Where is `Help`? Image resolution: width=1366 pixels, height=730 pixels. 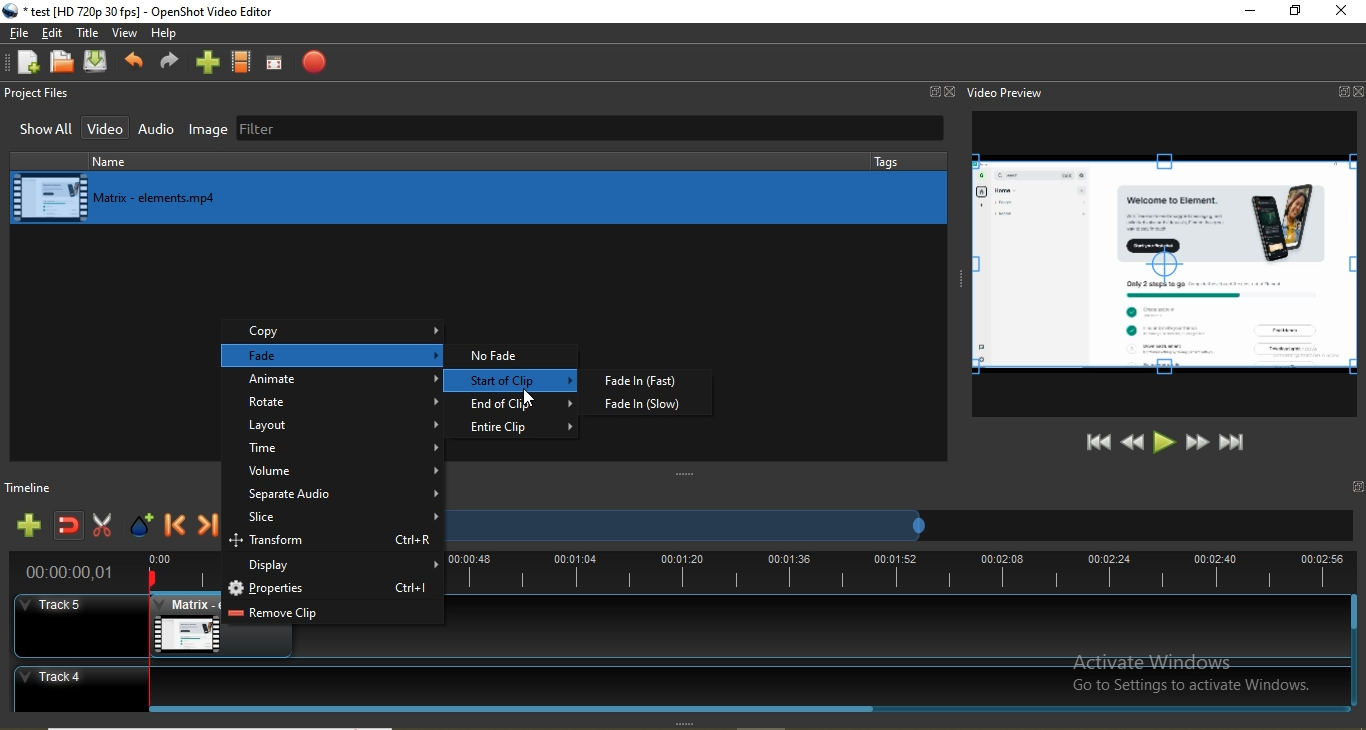 Help is located at coordinates (167, 35).